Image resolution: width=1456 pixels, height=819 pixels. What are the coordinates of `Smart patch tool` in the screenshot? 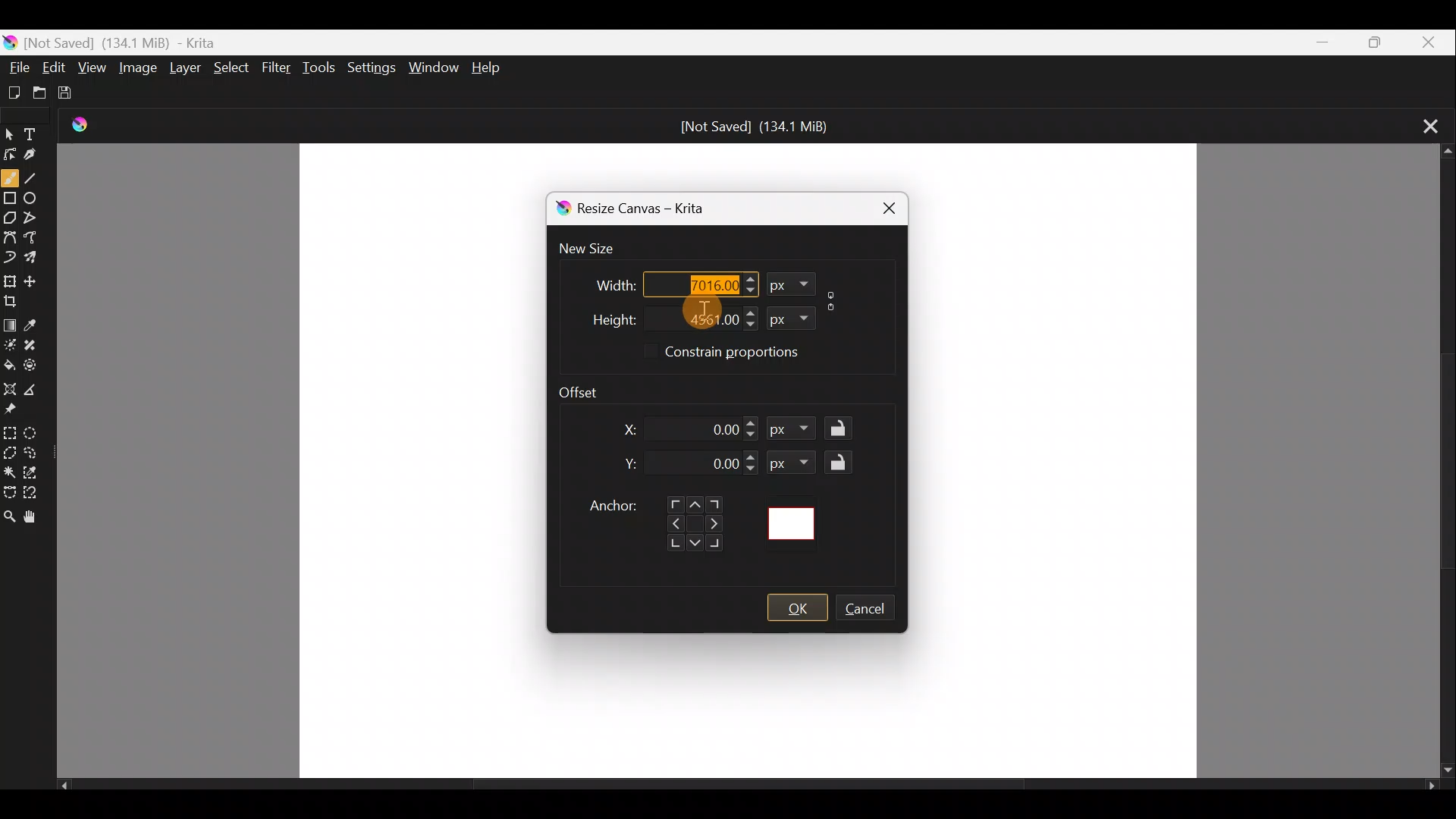 It's located at (36, 343).